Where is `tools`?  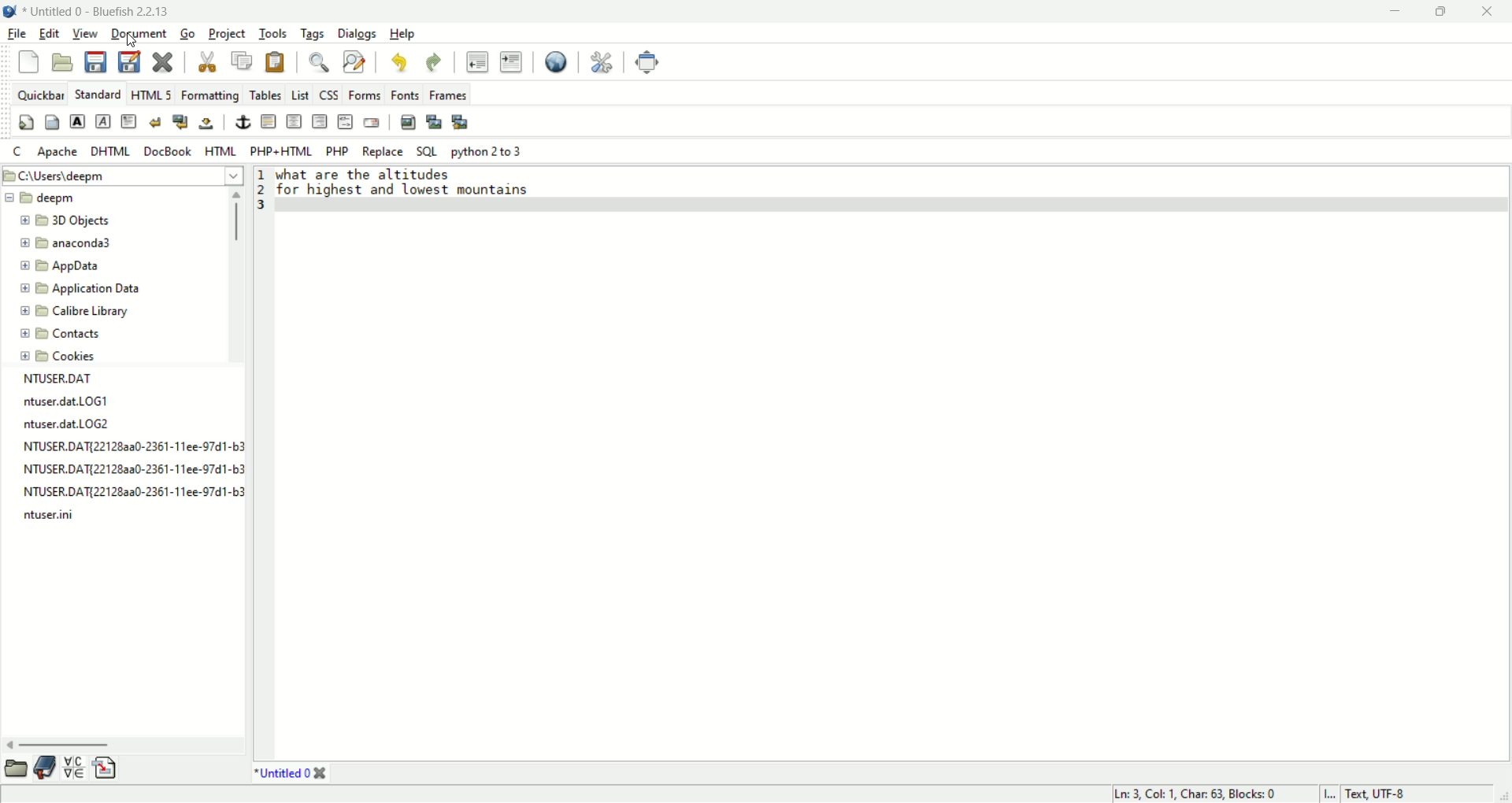 tools is located at coordinates (274, 35).